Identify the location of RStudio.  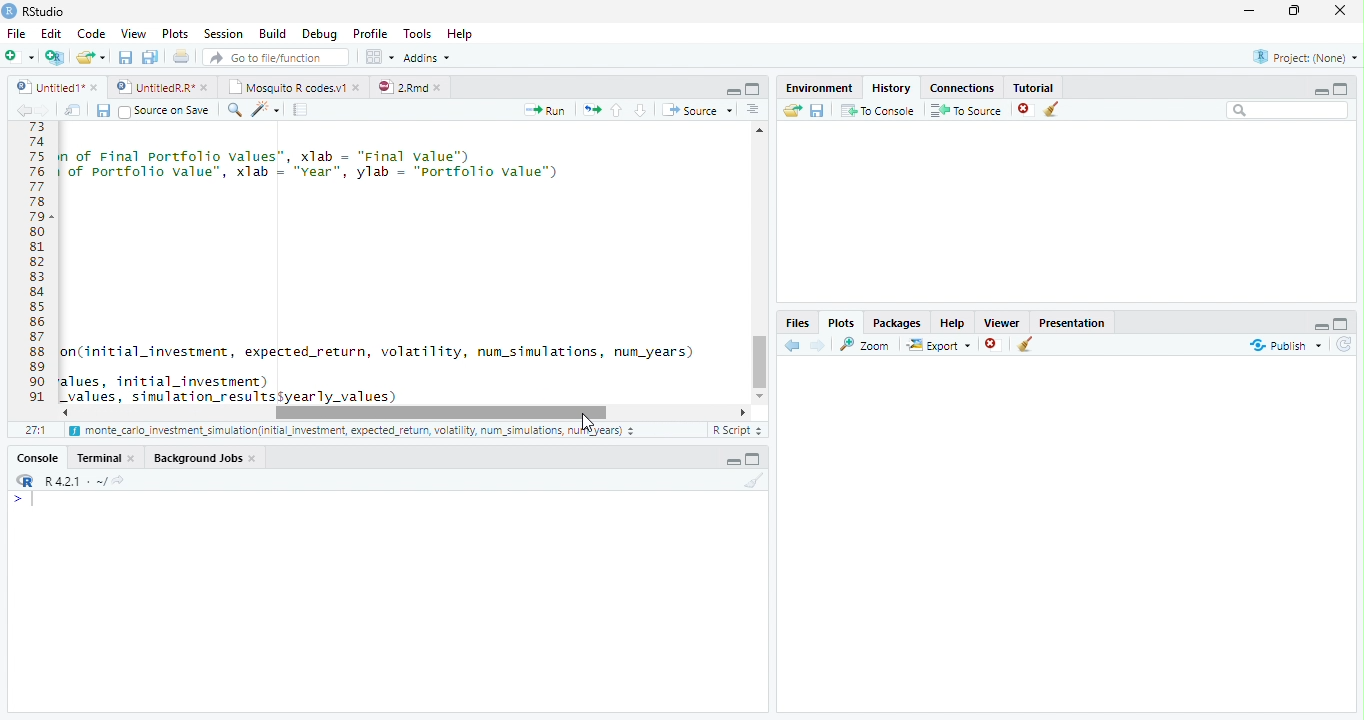
(34, 11).